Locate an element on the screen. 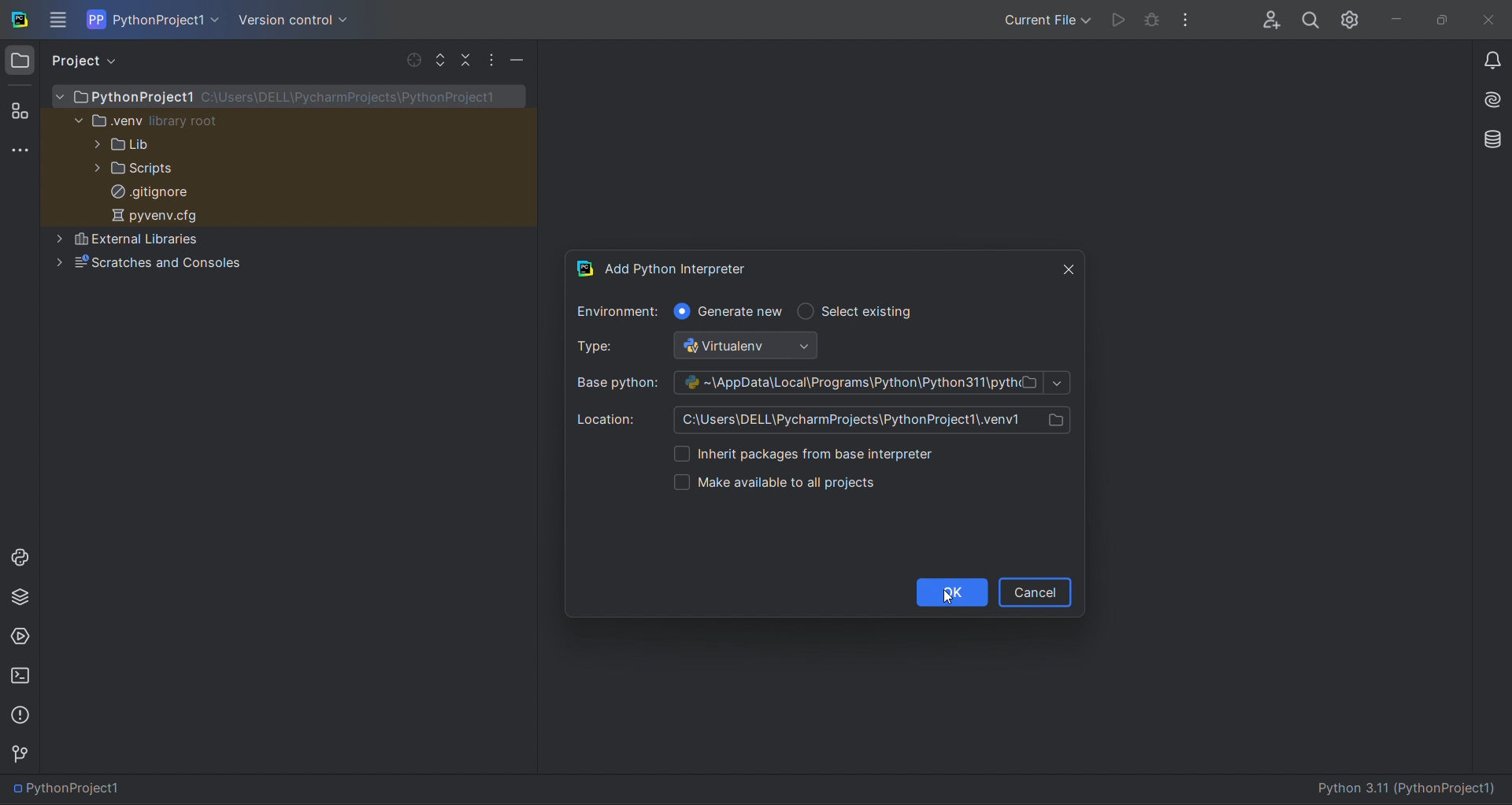 This screenshot has width=1512, height=805. run is located at coordinates (1115, 20).